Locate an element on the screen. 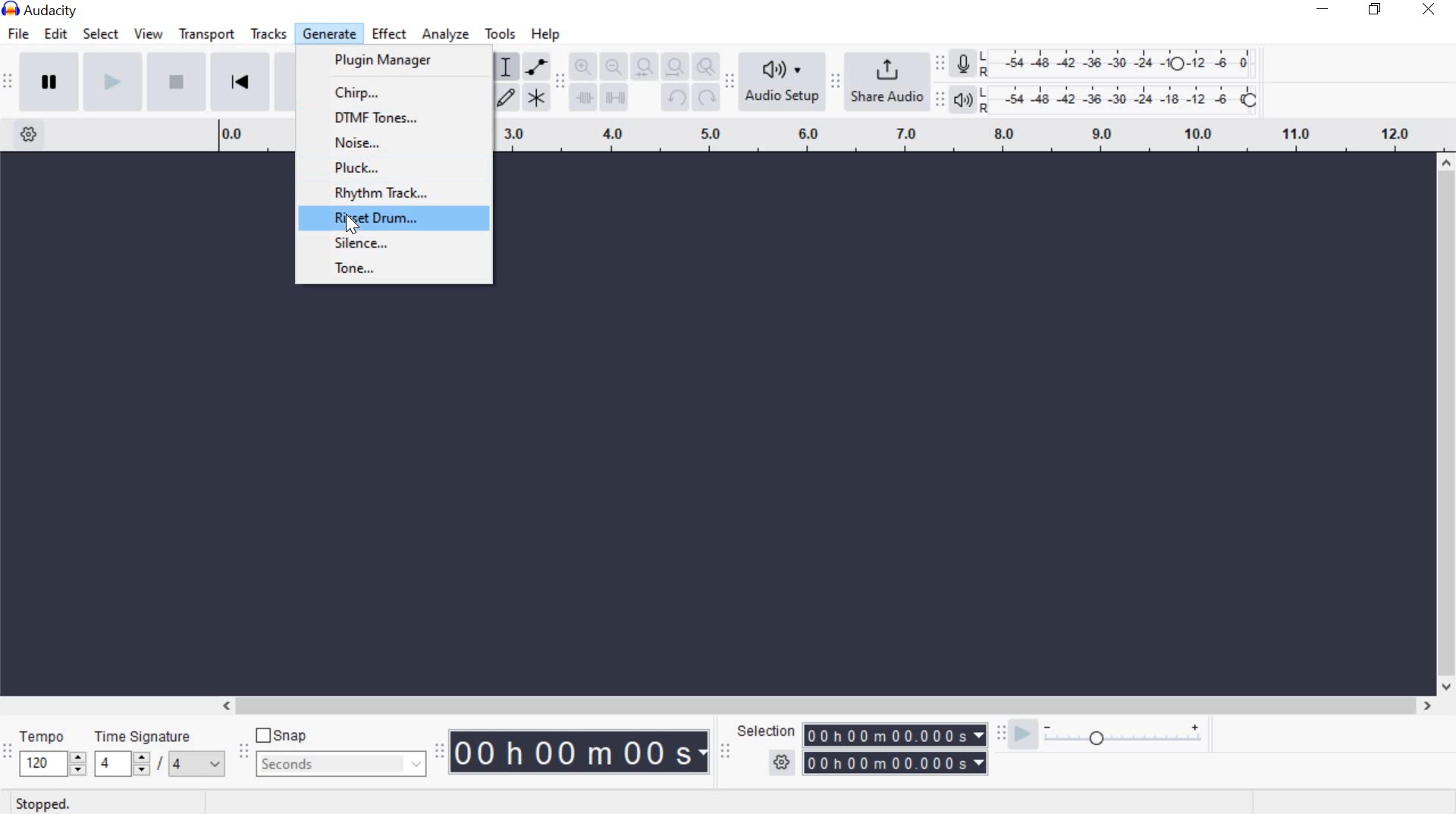 The width and height of the screenshot is (1456, 814). Playback meter is located at coordinates (964, 101).